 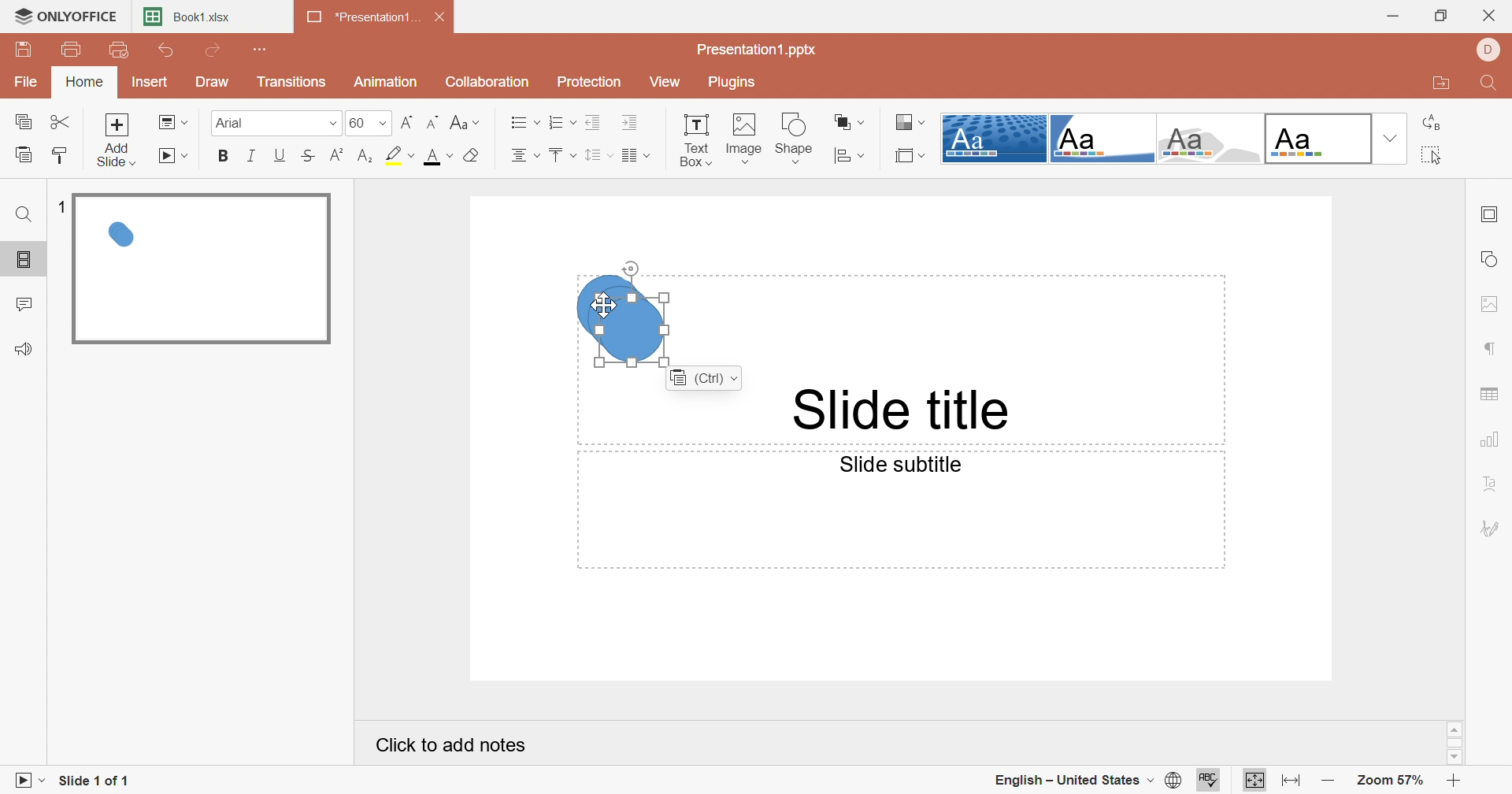 What do you see at coordinates (65, 13) in the screenshot?
I see `ONLYOFFICE` at bounding box center [65, 13].